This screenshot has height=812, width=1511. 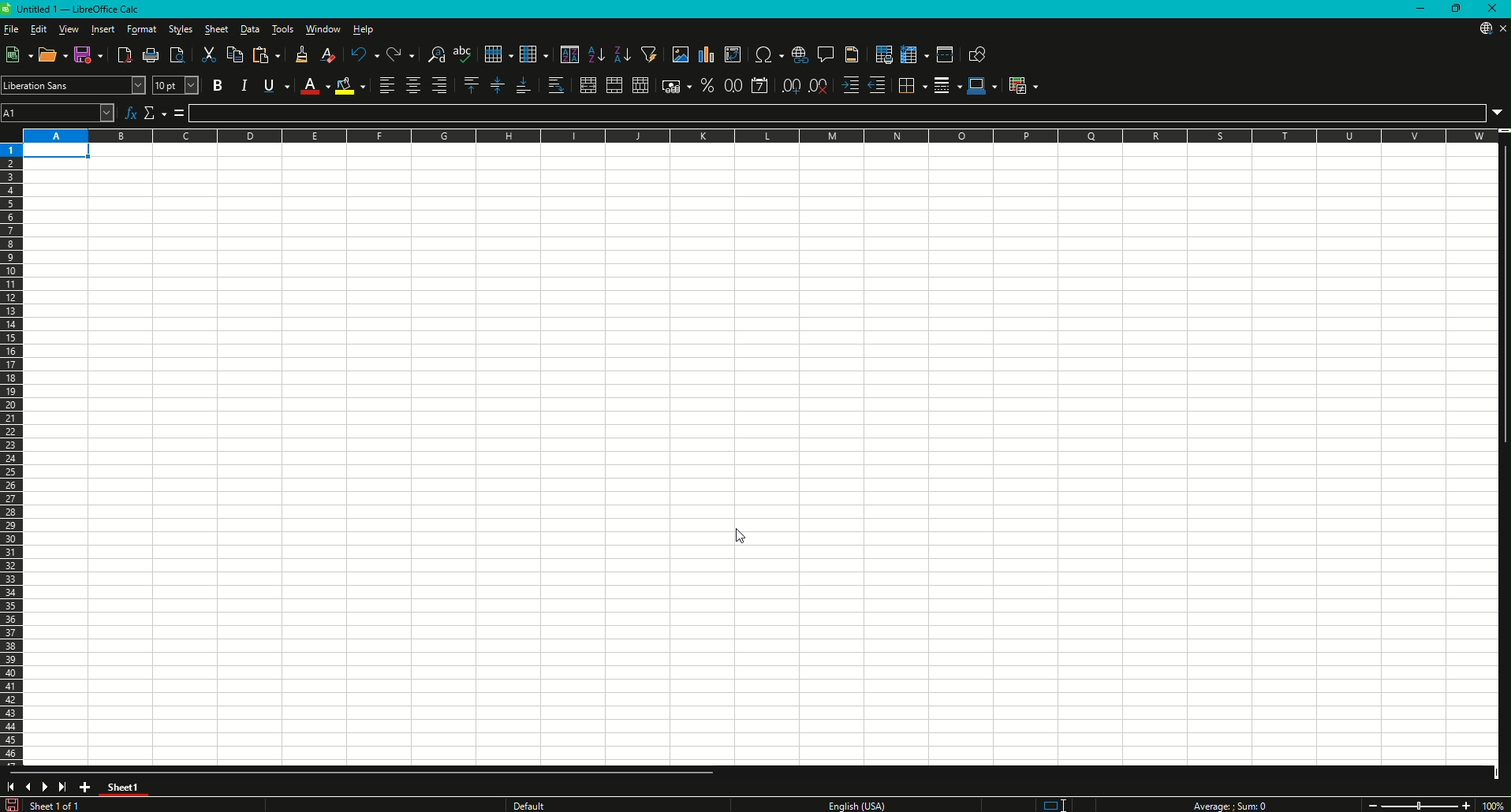 I want to click on Sort, so click(x=569, y=54).